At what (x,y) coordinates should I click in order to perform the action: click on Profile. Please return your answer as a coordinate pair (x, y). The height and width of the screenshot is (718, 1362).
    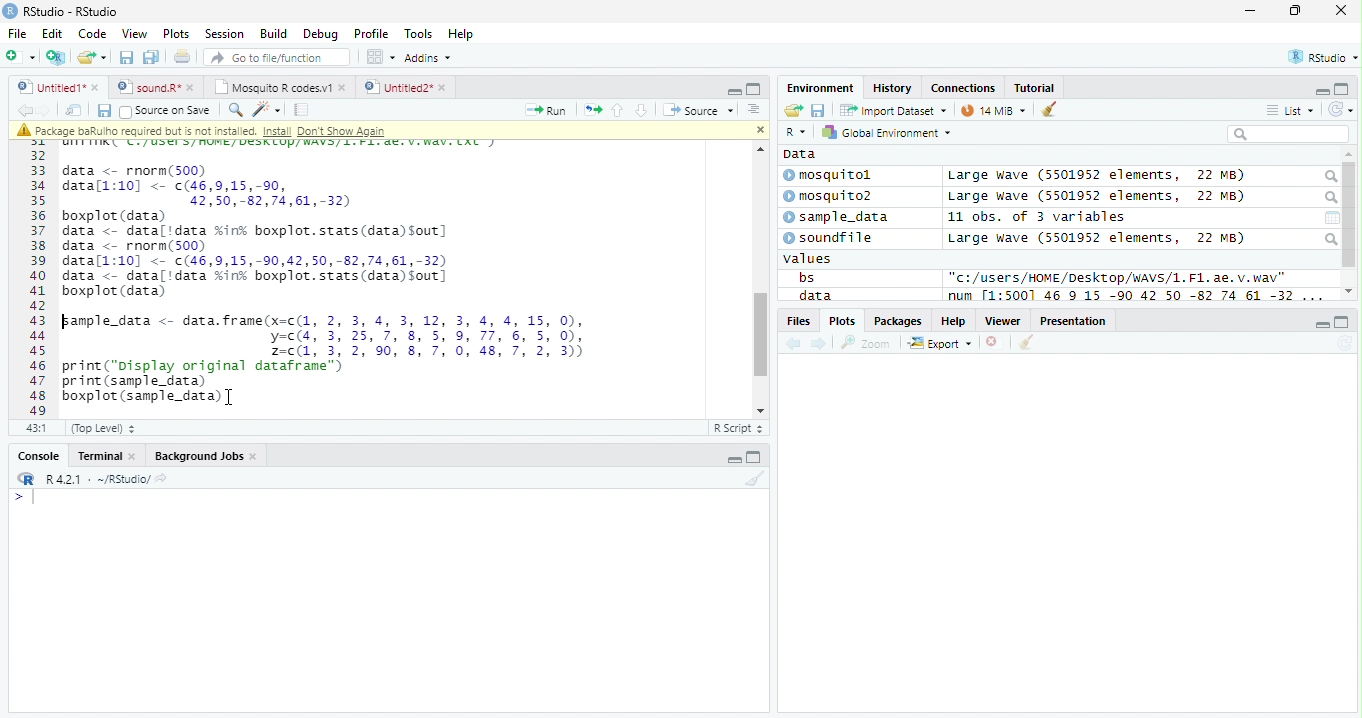
    Looking at the image, I should click on (371, 33).